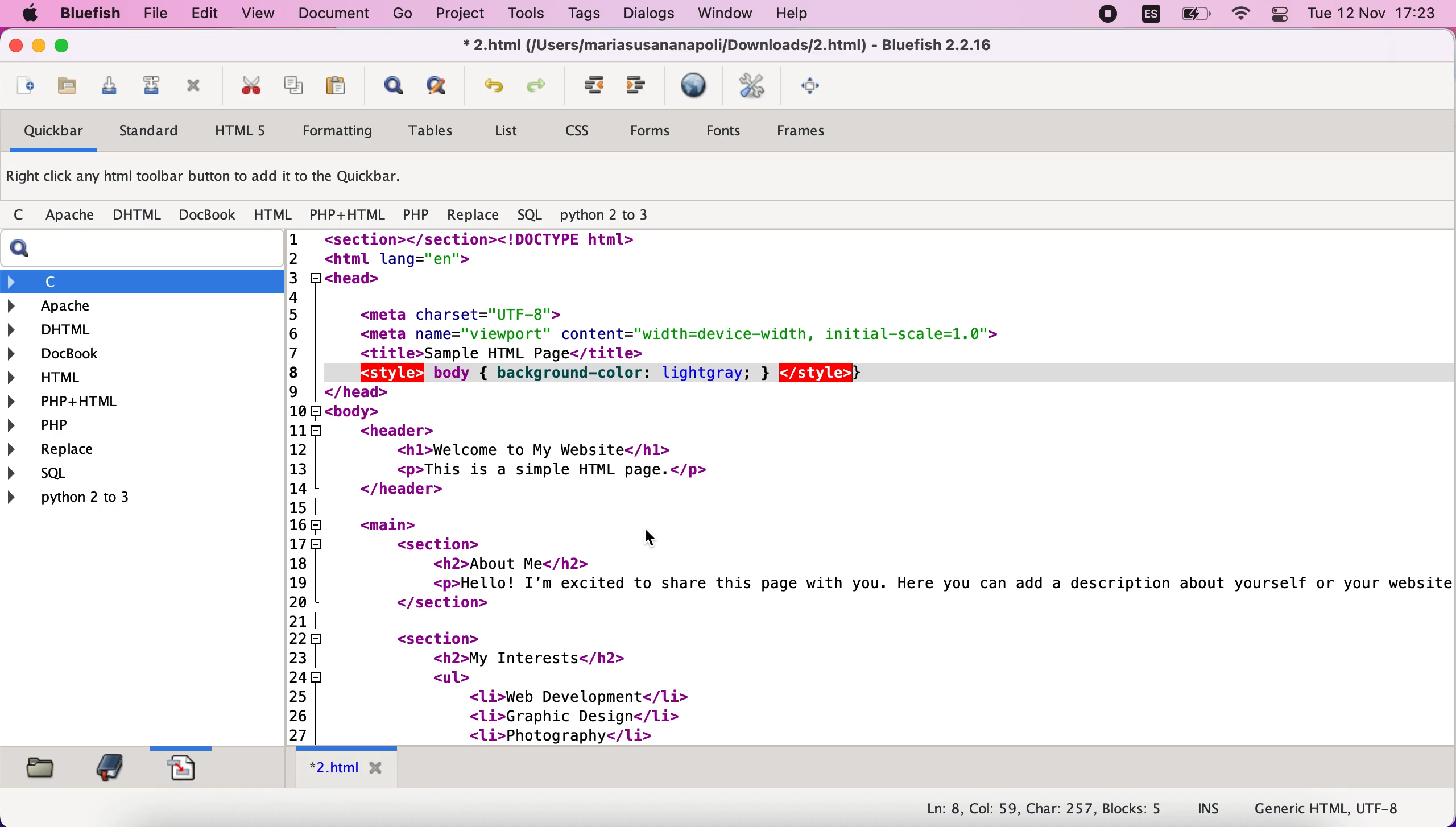  What do you see at coordinates (349, 767) in the screenshot?
I see `*2.html` at bounding box center [349, 767].